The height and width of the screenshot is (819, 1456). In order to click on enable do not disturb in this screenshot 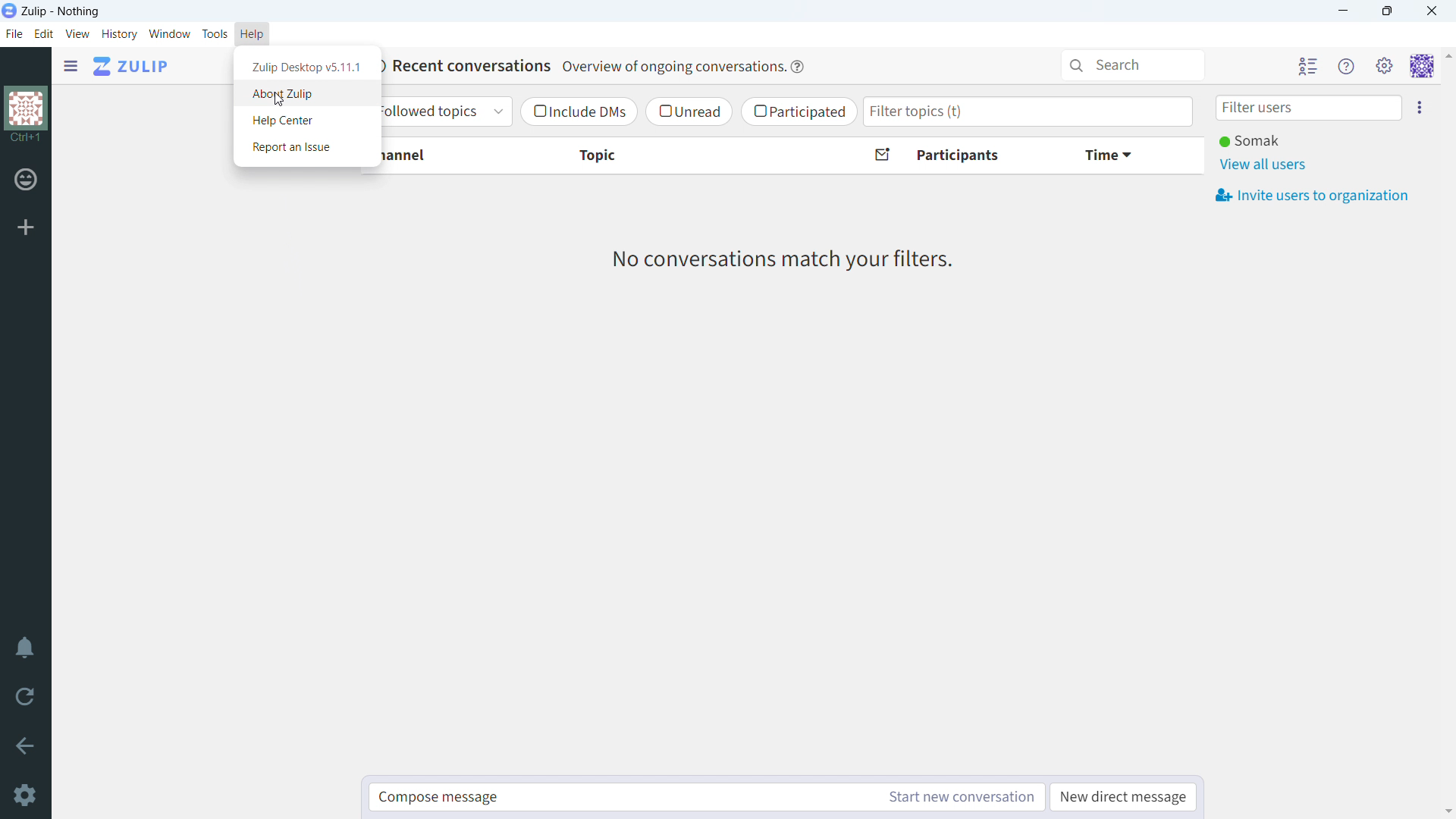, I will do `click(25, 648)`.